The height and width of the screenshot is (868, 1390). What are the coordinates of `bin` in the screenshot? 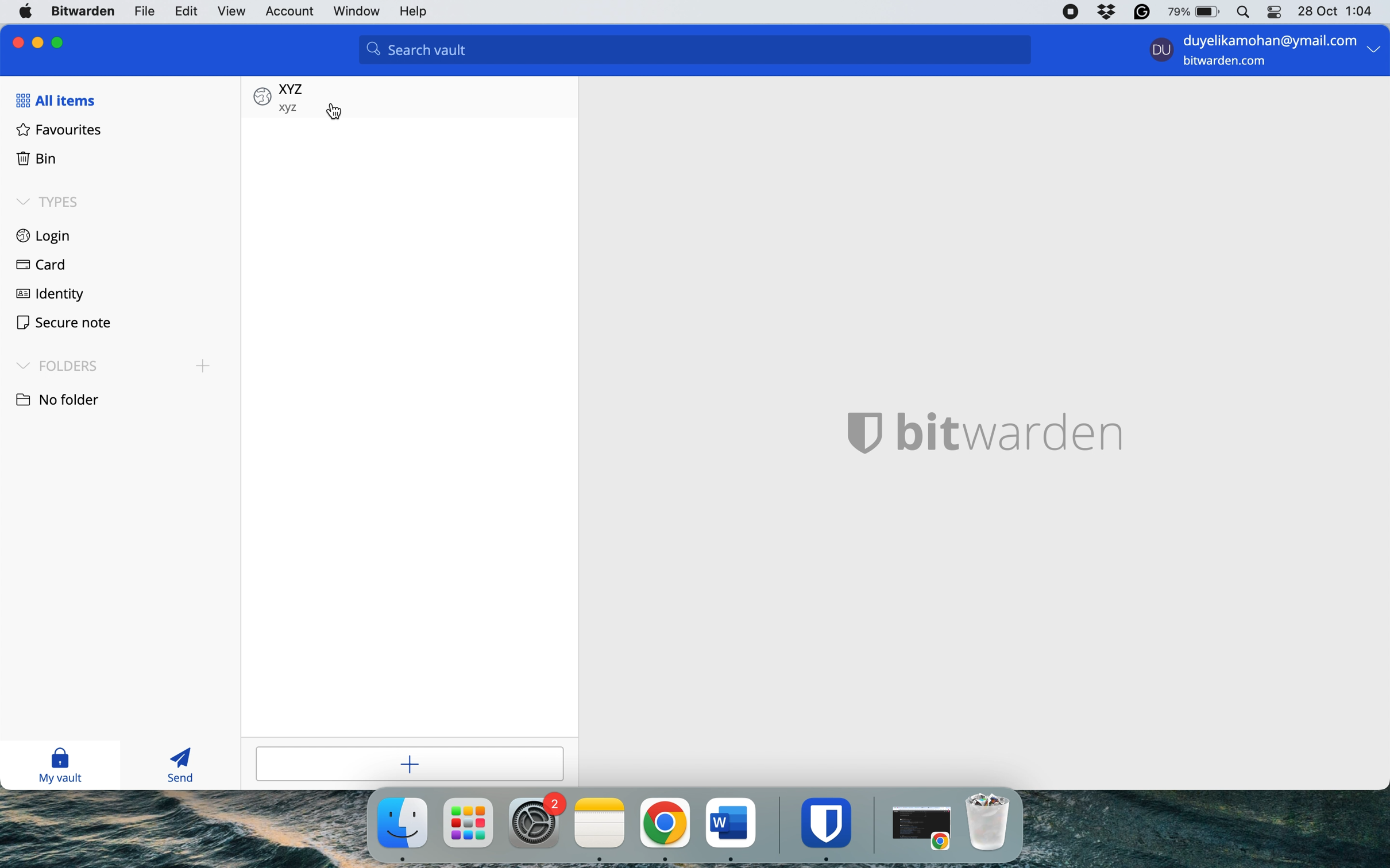 It's located at (36, 157).